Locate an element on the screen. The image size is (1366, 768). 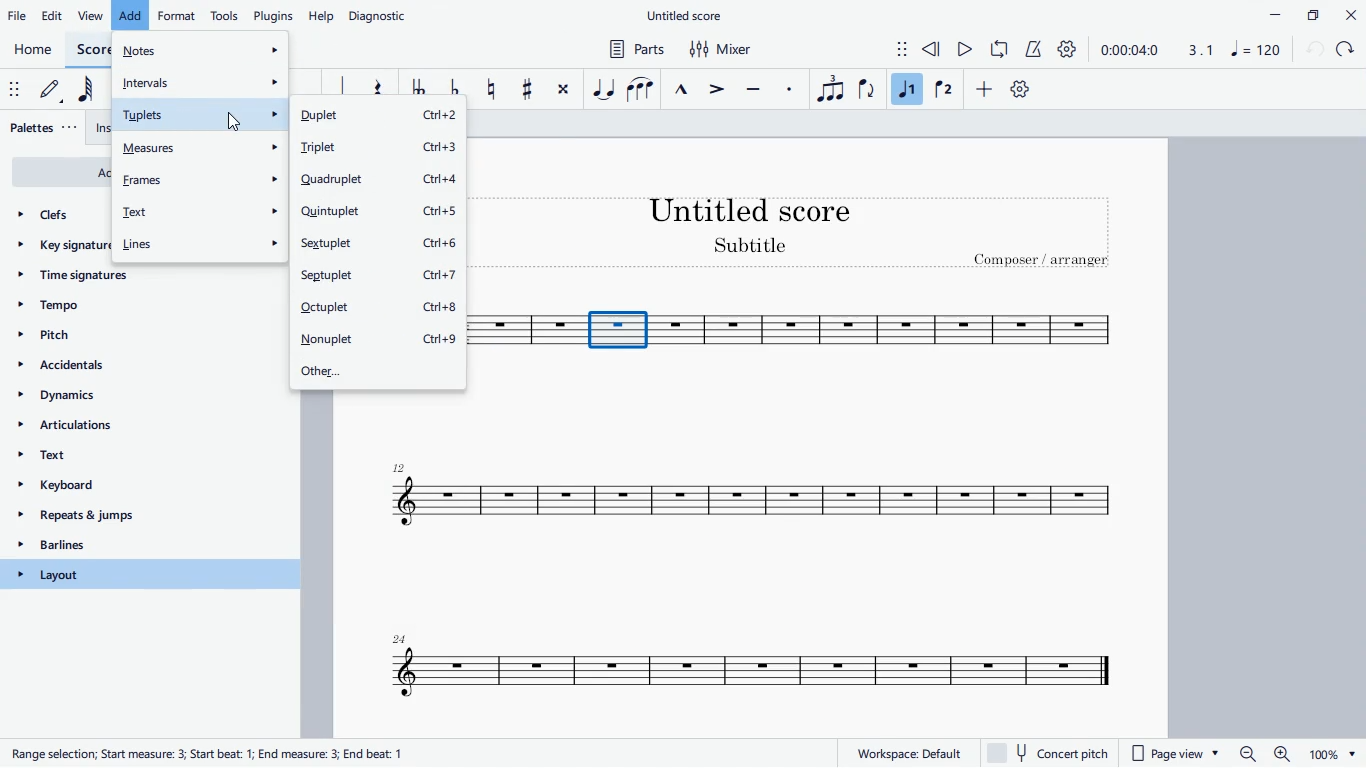
score is located at coordinates (894, 331).